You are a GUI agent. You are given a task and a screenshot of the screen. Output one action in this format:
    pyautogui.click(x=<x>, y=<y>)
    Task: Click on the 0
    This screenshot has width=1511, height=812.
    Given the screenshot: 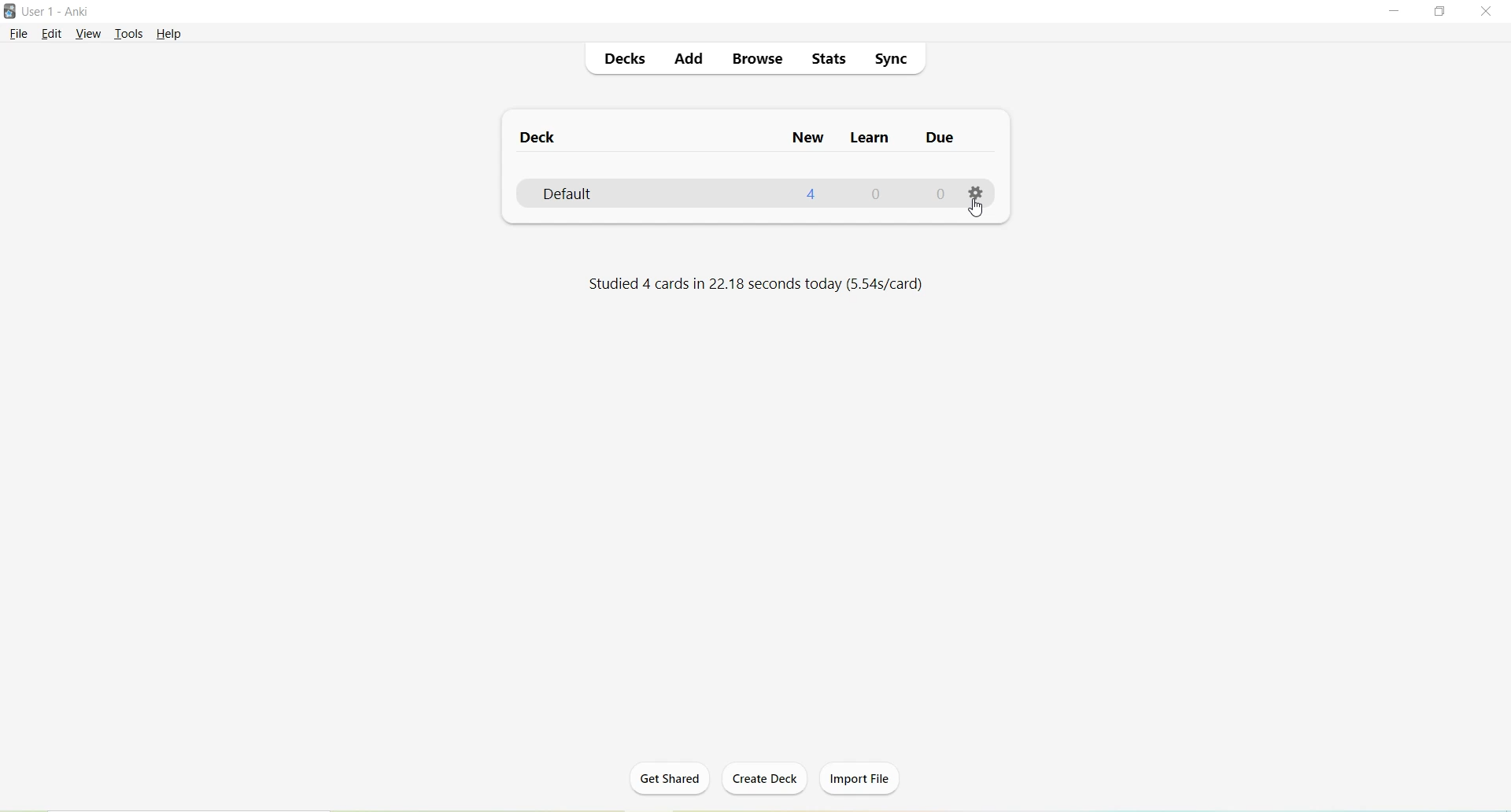 What is the action you would take?
    pyautogui.click(x=881, y=193)
    